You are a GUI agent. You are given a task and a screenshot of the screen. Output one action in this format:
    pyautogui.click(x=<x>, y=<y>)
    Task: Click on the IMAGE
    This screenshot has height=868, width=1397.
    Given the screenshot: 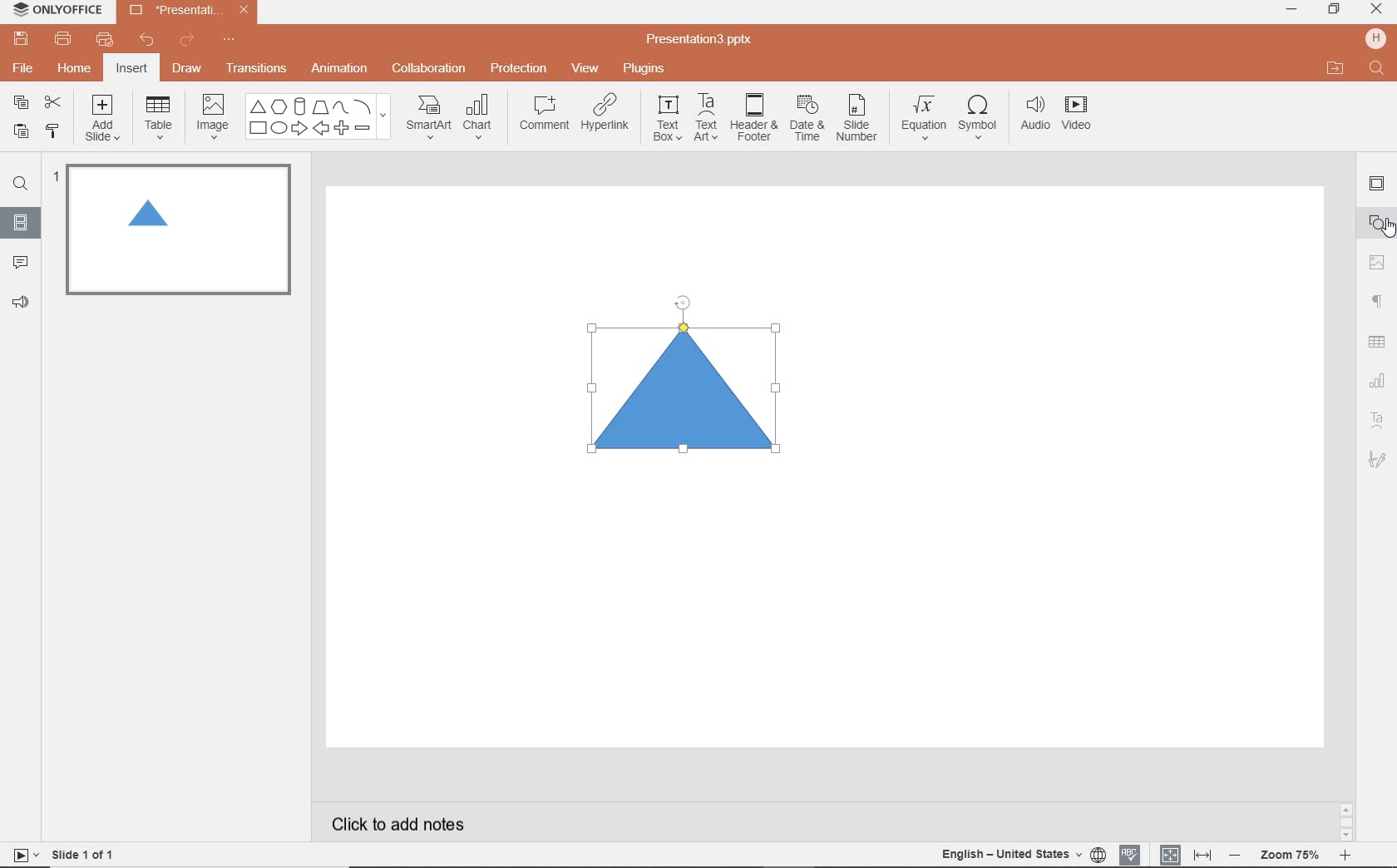 What is the action you would take?
    pyautogui.click(x=212, y=118)
    